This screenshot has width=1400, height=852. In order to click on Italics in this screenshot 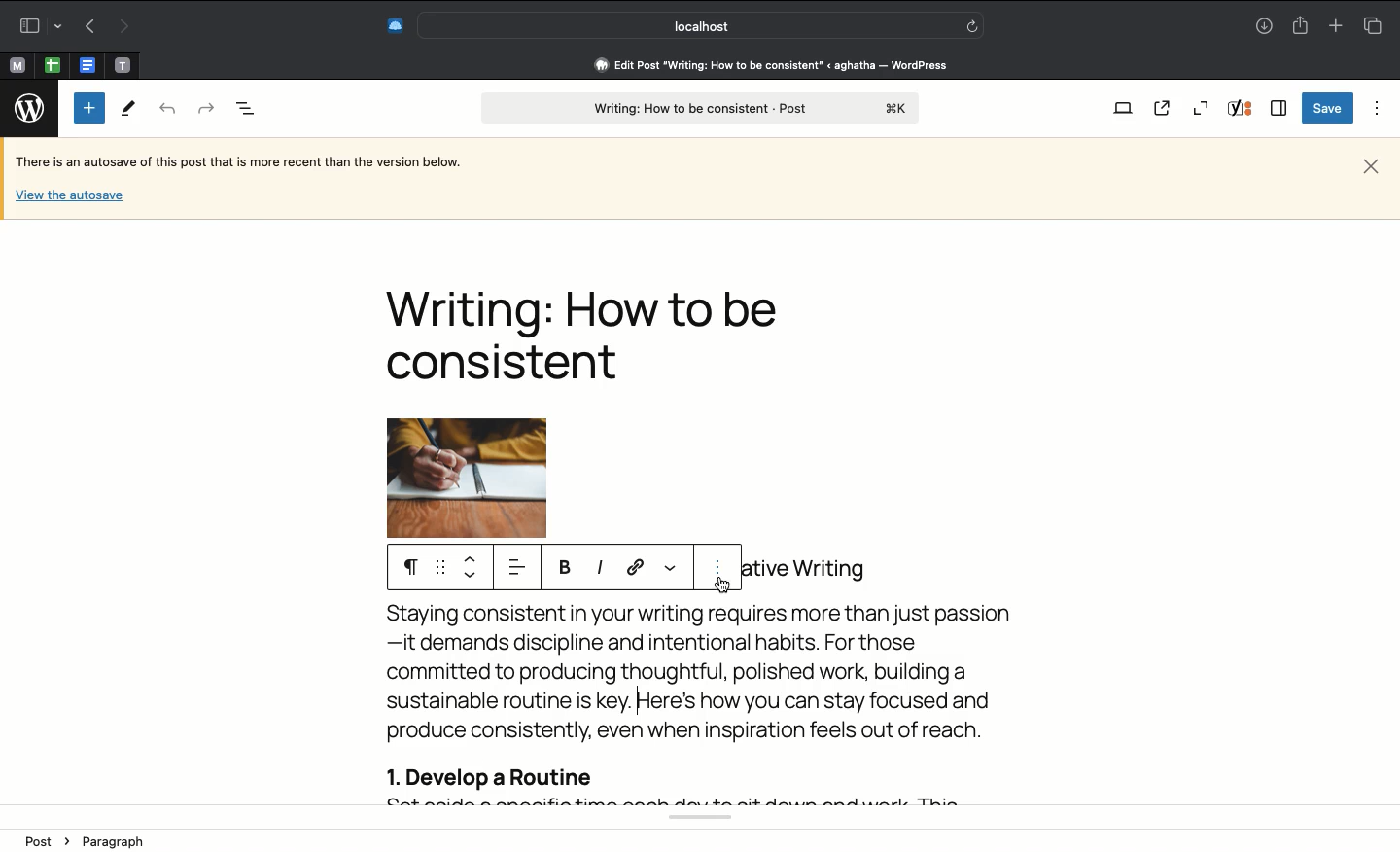, I will do `click(600, 568)`.